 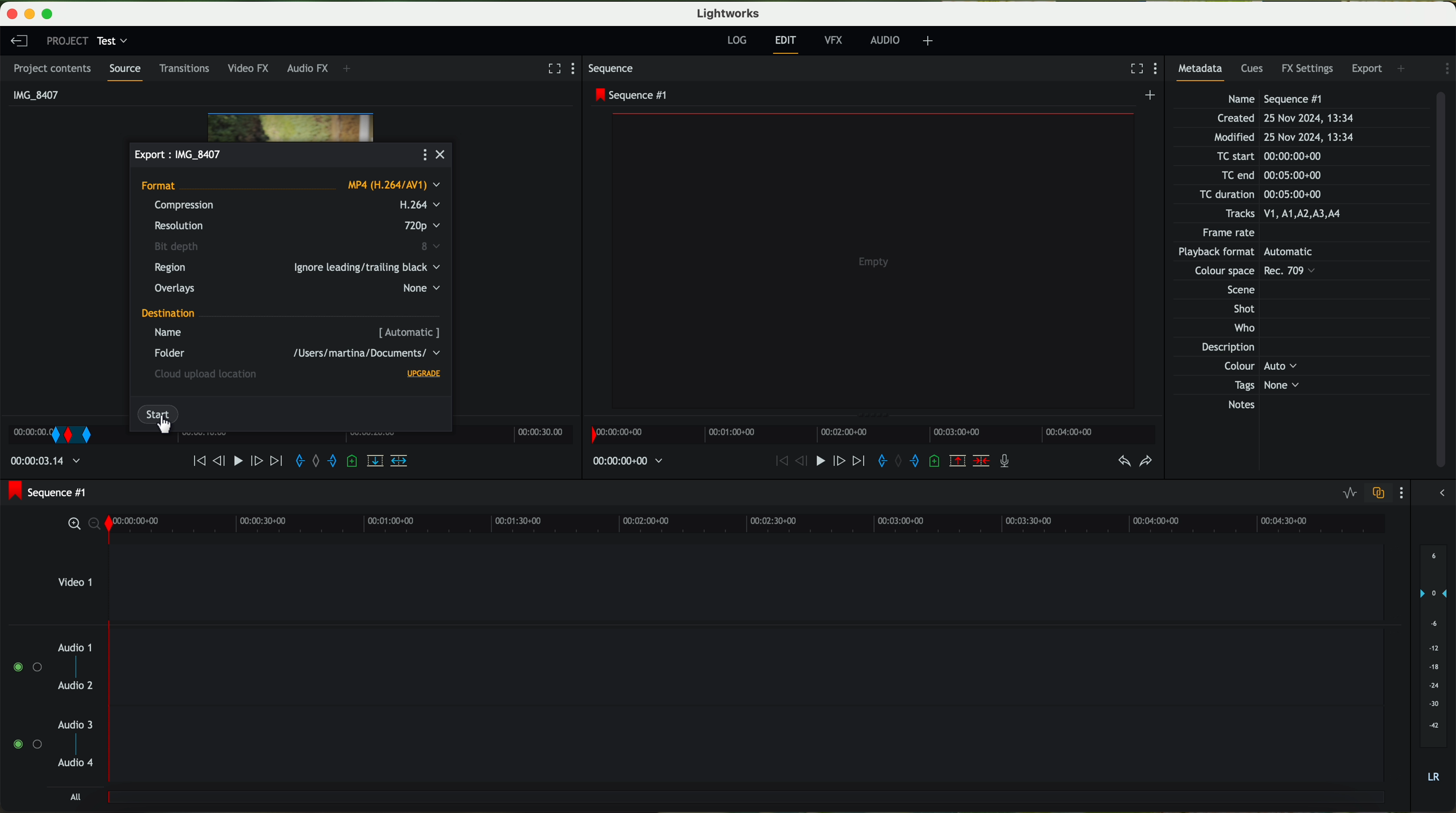 What do you see at coordinates (54, 68) in the screenshot?
I see `project contents` at bounding box center [54, 68].